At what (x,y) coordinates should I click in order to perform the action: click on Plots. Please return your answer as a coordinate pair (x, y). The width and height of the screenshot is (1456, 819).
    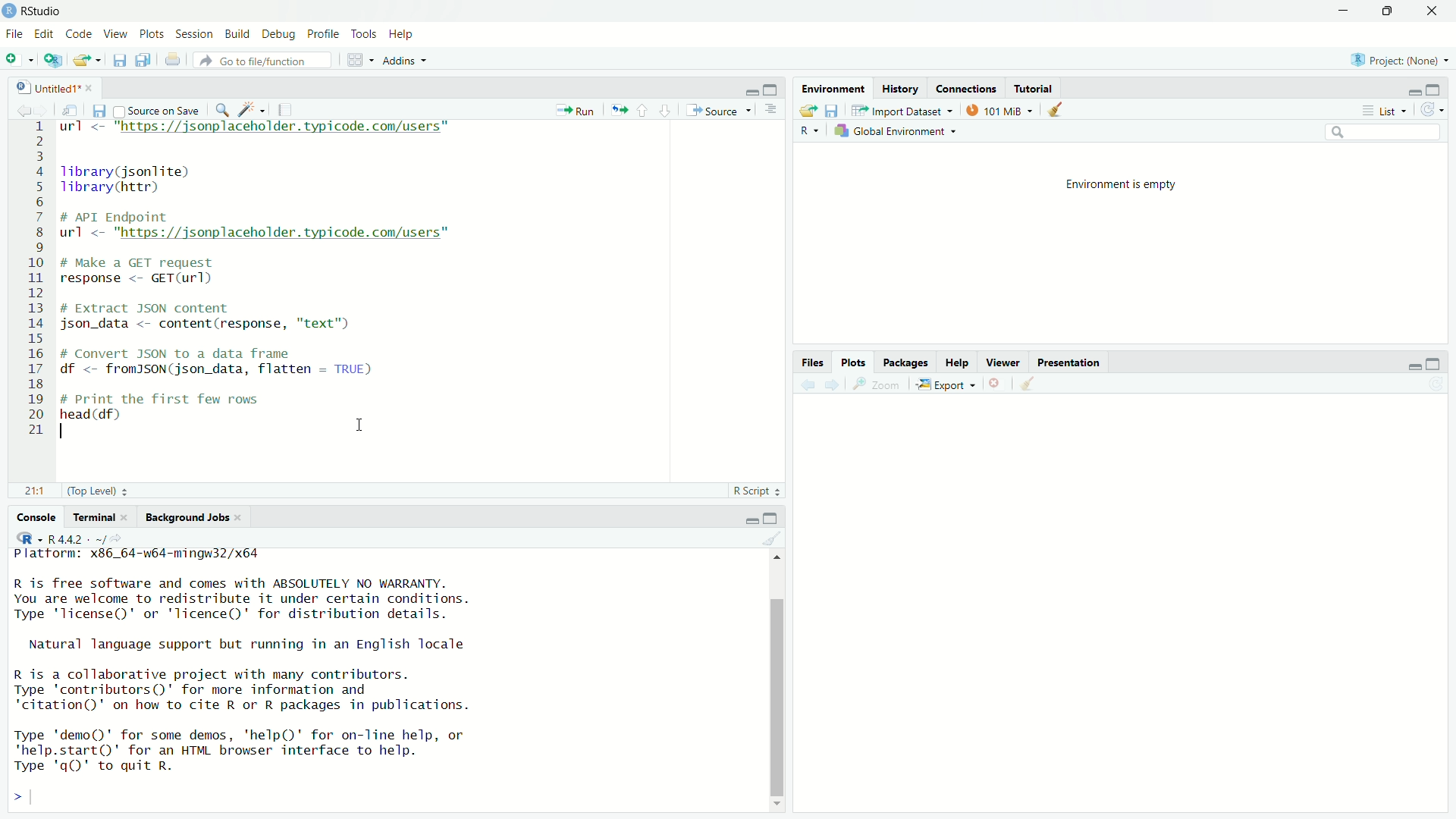
    Looking at the image, I should click on (151, 34).